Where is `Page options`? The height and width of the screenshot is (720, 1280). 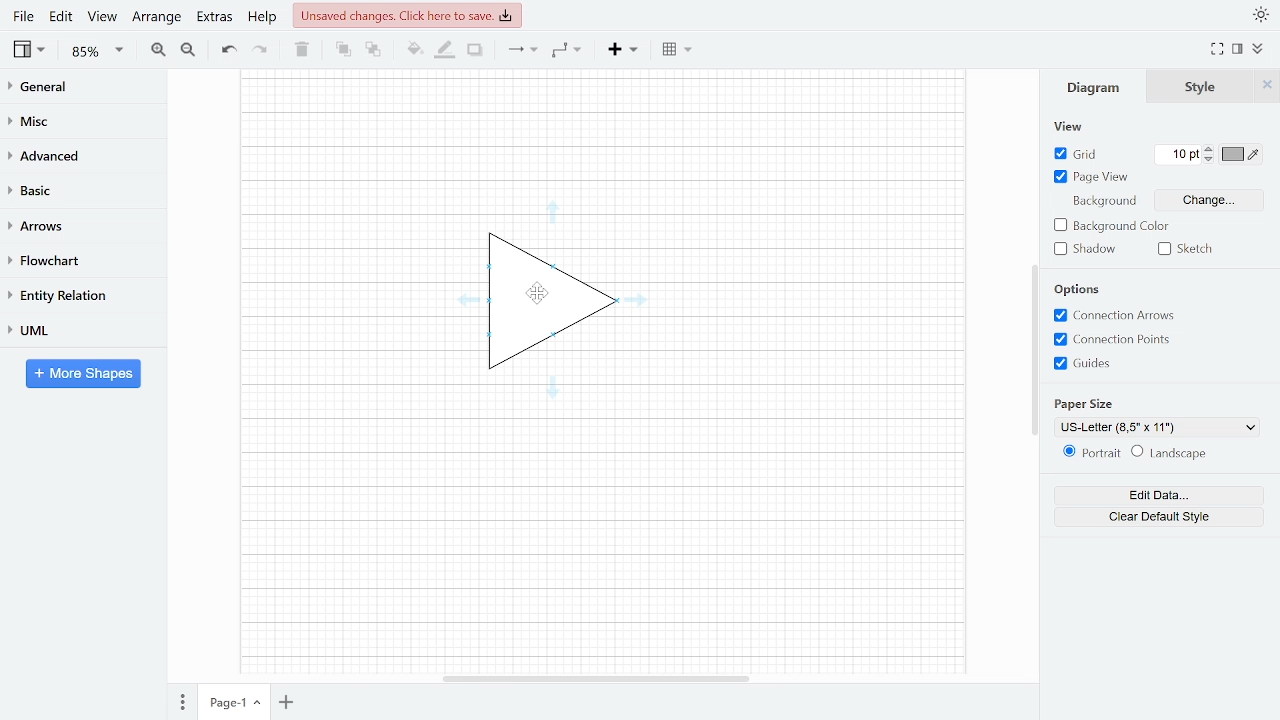
Page options is located at coordinates (258, 703).